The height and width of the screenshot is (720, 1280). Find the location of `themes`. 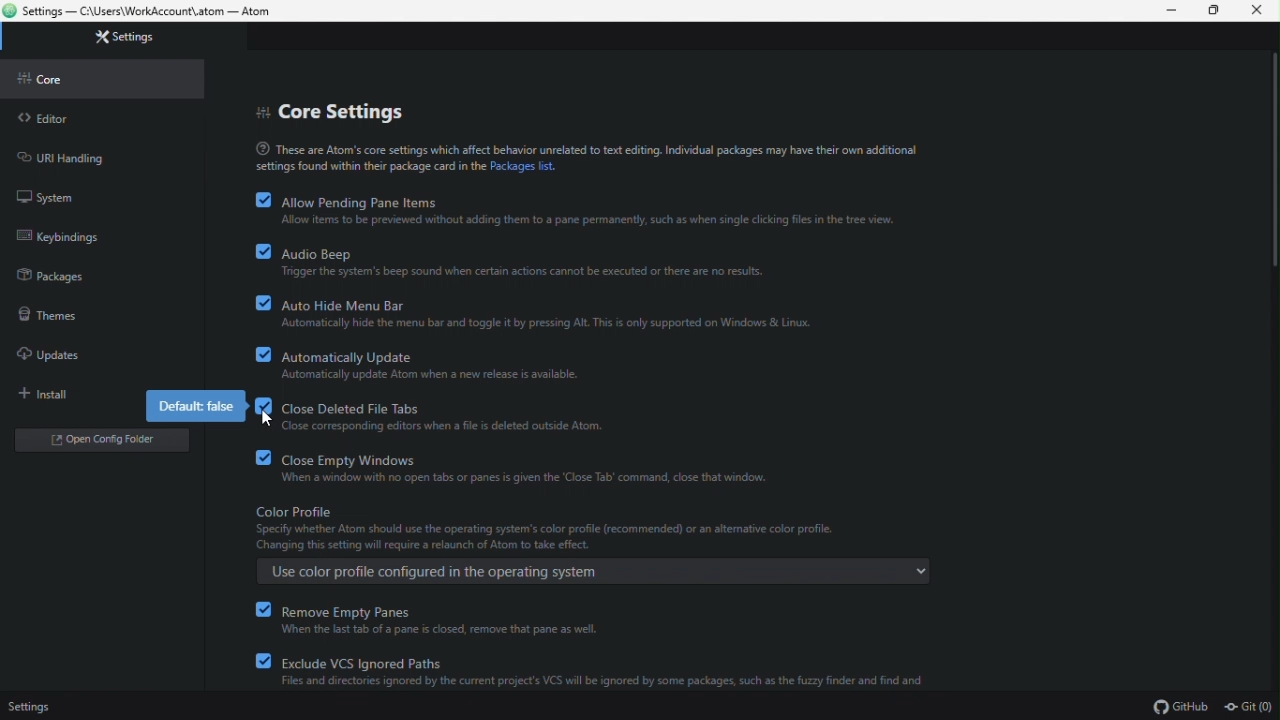

themes is located at coordinates (53, 314).